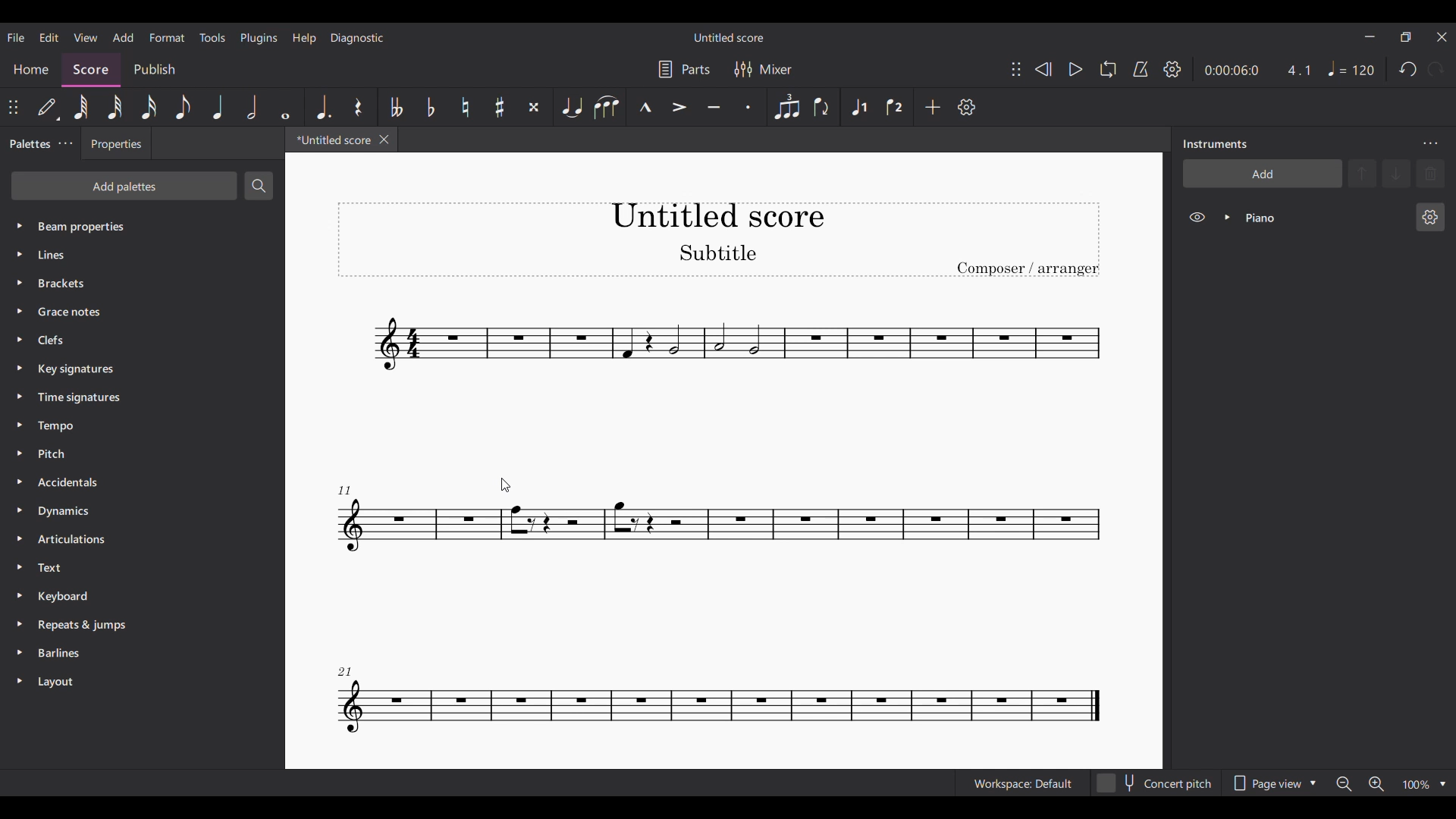  What do you see at coordinates (1376, 784) in the screenshot?
I see `Zoom in` at bounding box center [1376, 784].